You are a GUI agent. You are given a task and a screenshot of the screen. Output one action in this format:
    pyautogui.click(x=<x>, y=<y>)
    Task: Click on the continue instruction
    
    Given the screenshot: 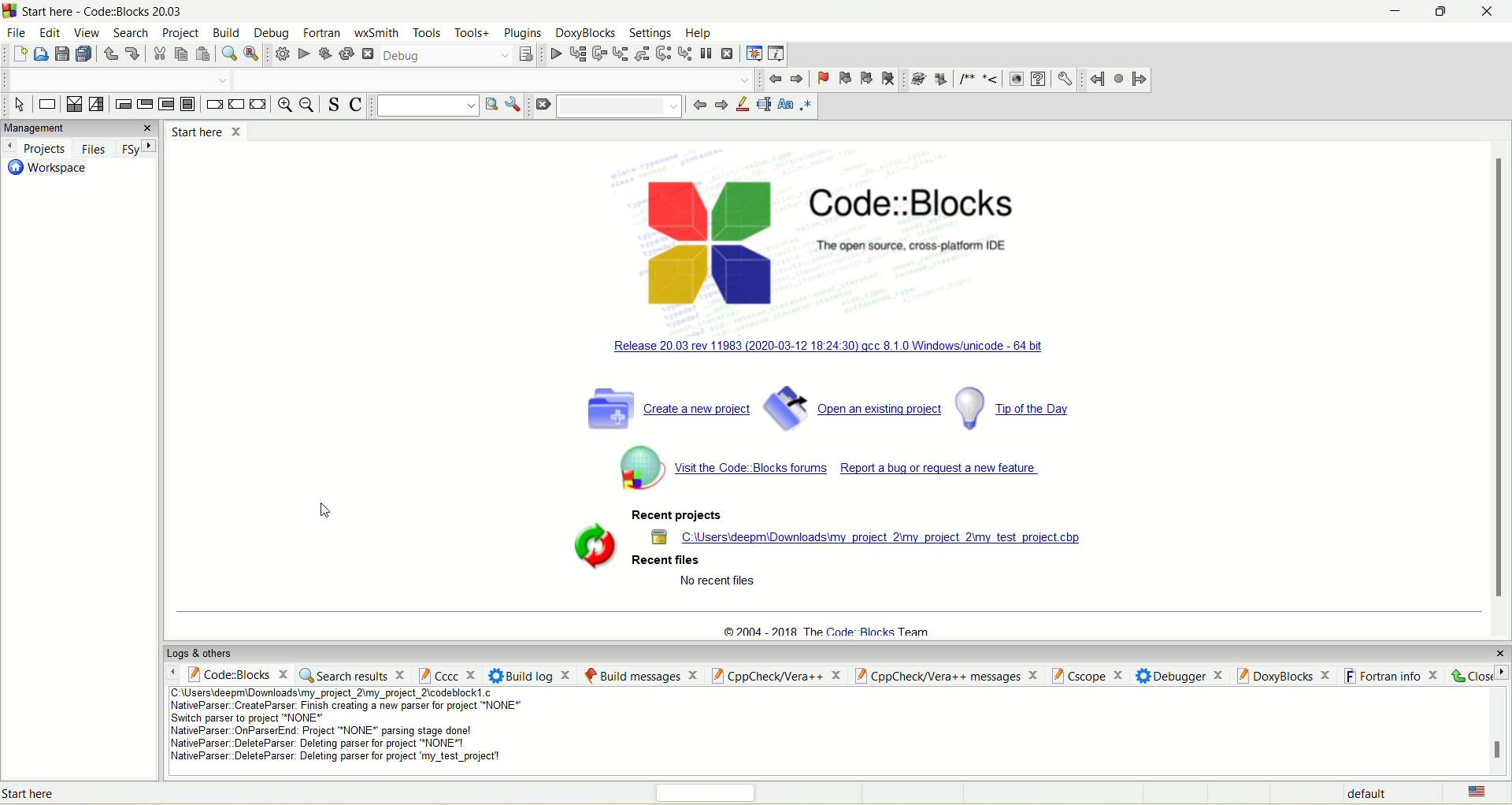 What is the action you would take?
    pyautogui.click(x=237, y=104)
    